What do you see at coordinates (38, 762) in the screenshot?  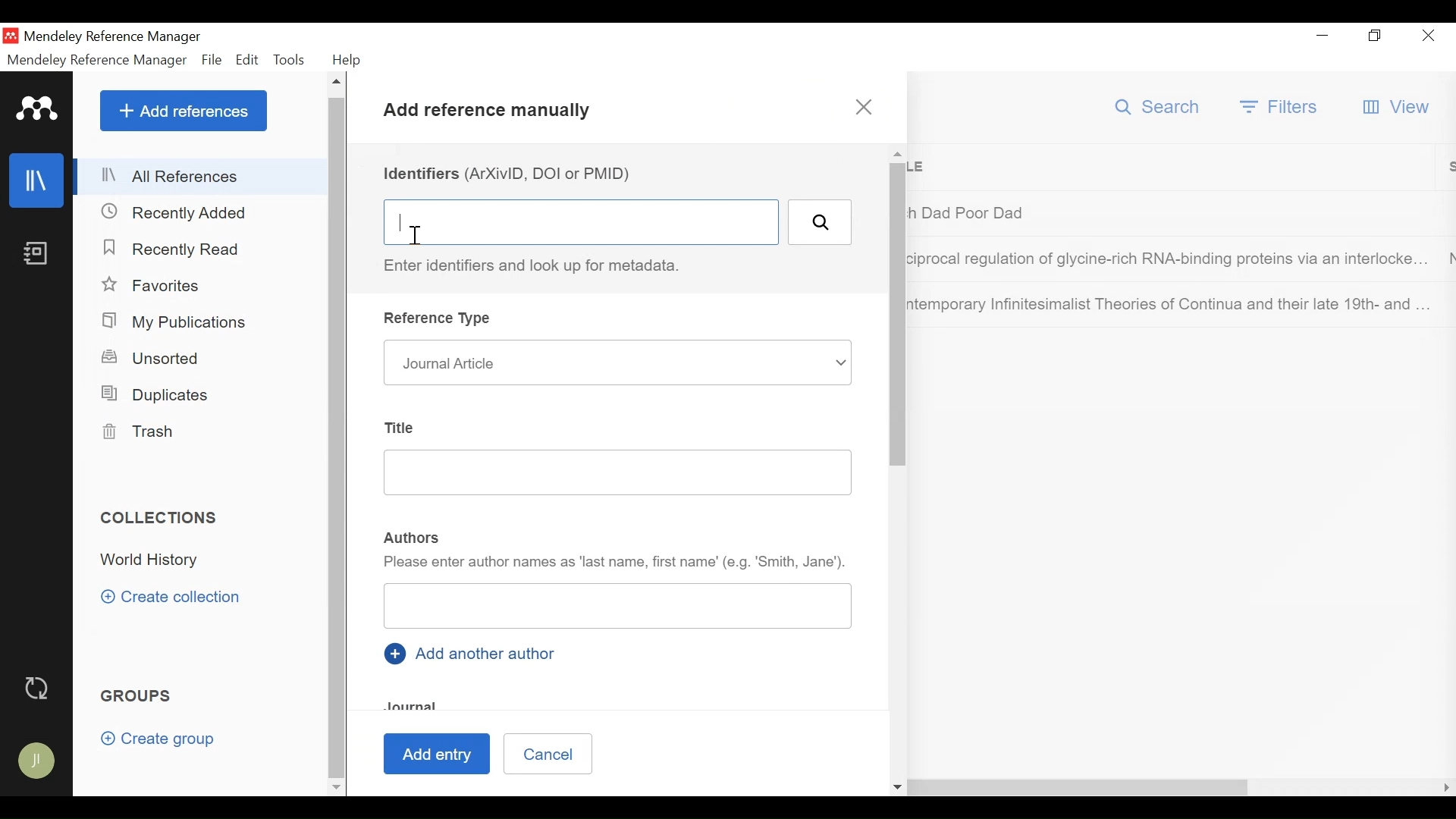 I see `Avatar` at bounding box center [38, 762].